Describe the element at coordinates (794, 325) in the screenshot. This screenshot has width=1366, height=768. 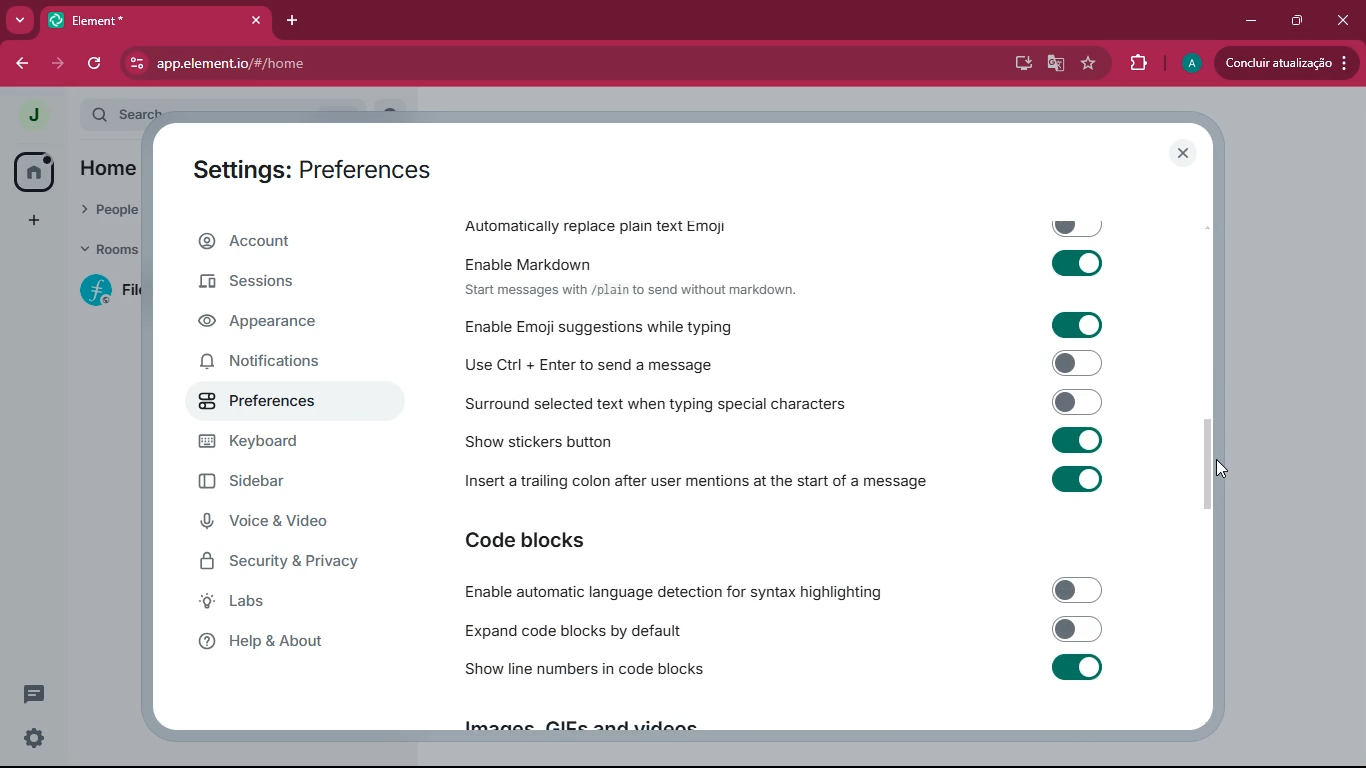
I see `Enable Emoji suggestions while typing` at that location.